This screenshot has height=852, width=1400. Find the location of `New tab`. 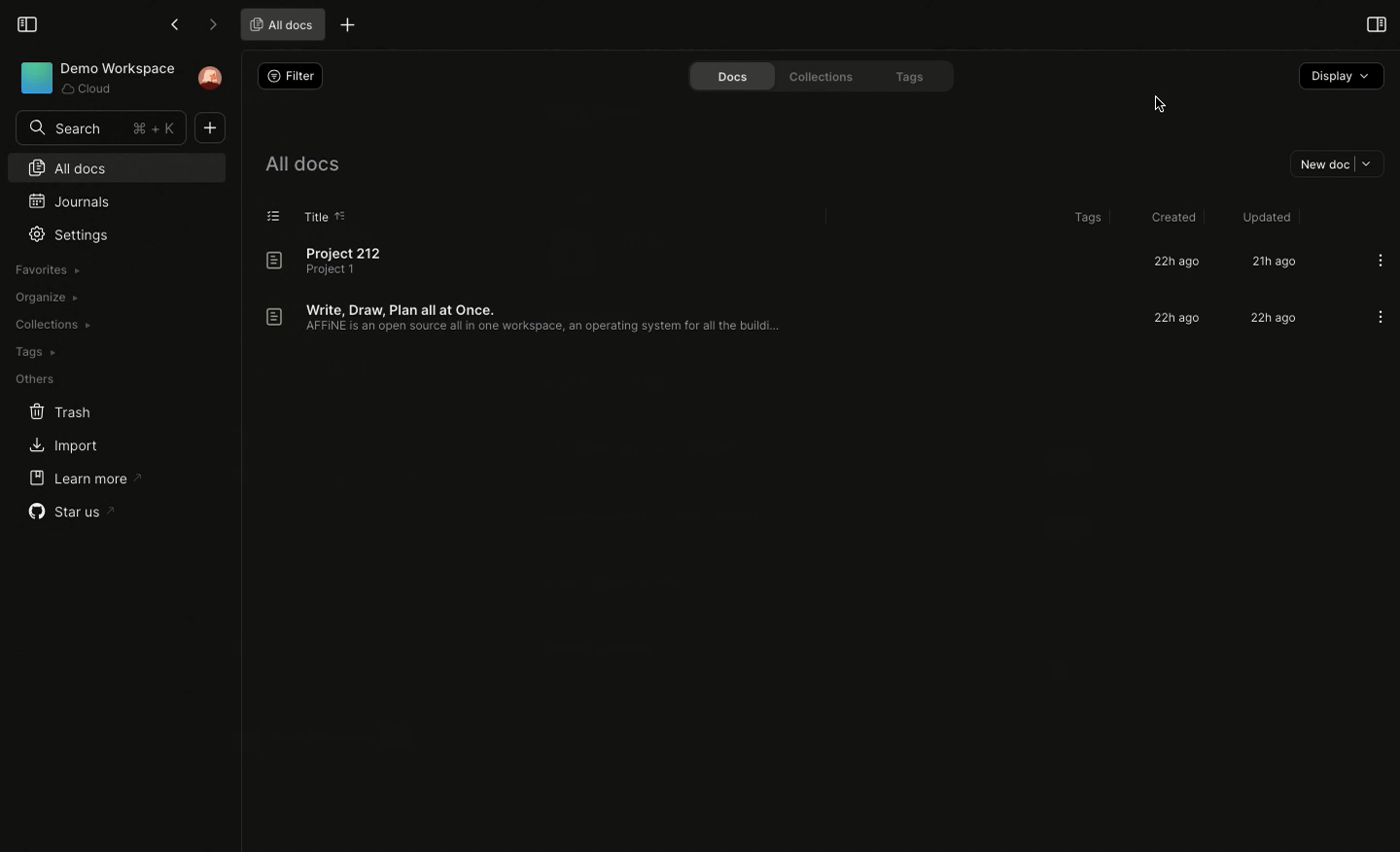

New tab is located at coordinates (348, 23).